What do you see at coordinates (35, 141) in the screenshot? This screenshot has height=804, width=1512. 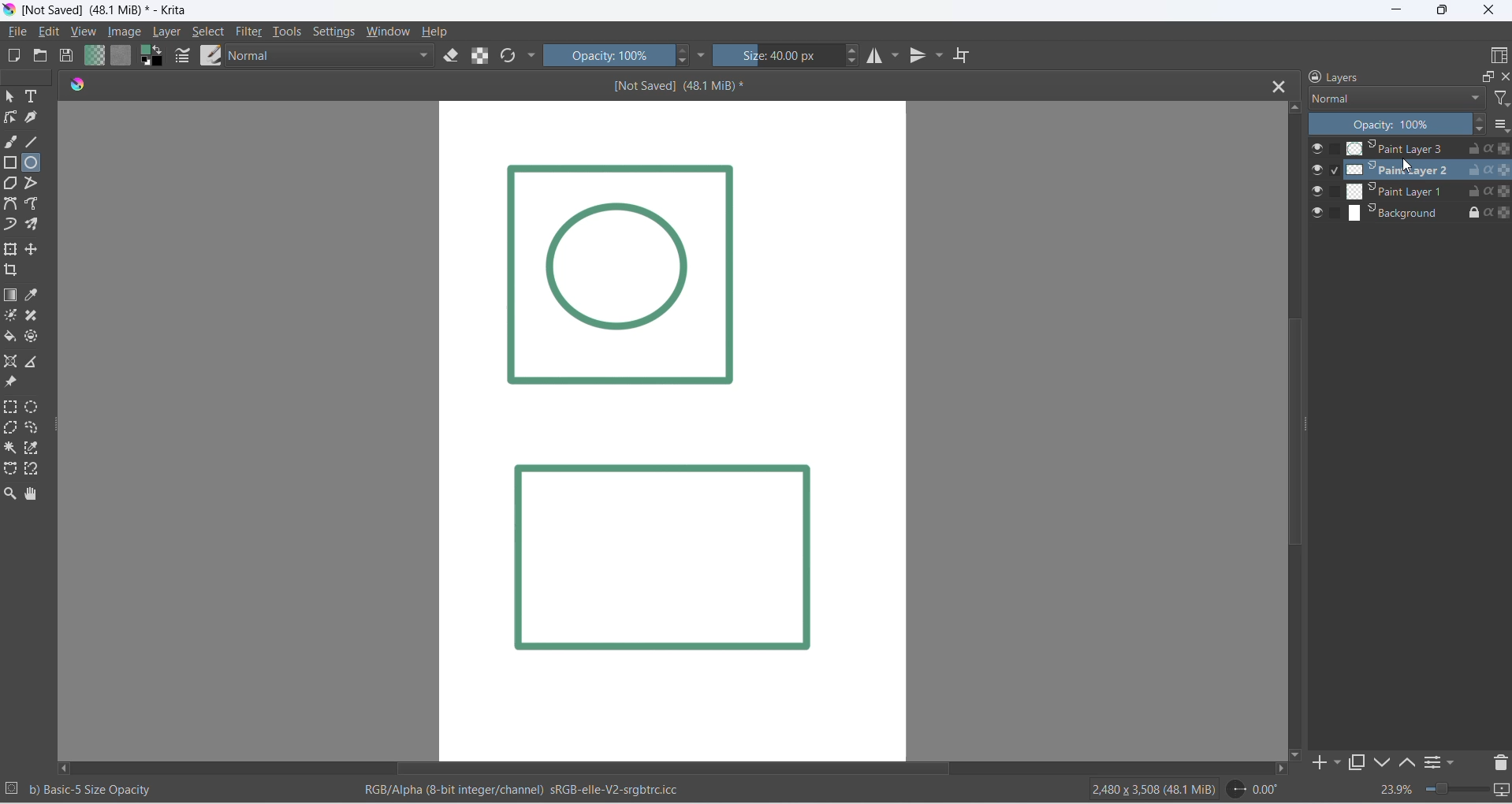 I see `line tool` at bounding box center [35, 141].